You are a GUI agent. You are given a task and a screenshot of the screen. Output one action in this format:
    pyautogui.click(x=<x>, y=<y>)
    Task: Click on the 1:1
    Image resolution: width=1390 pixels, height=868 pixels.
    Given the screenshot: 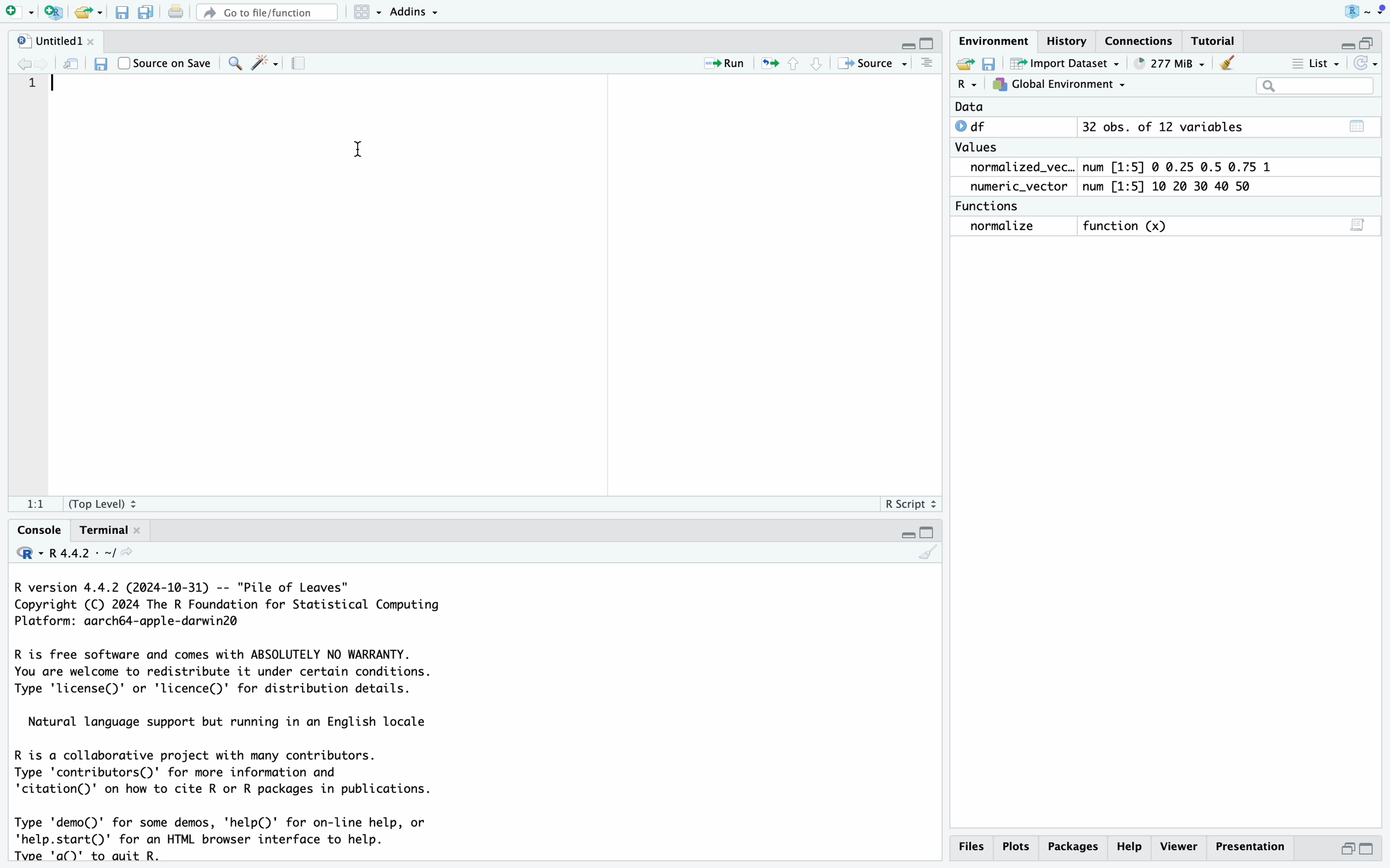 What is the action you would take?
    pyautogui.click(x=29, y=503)
    